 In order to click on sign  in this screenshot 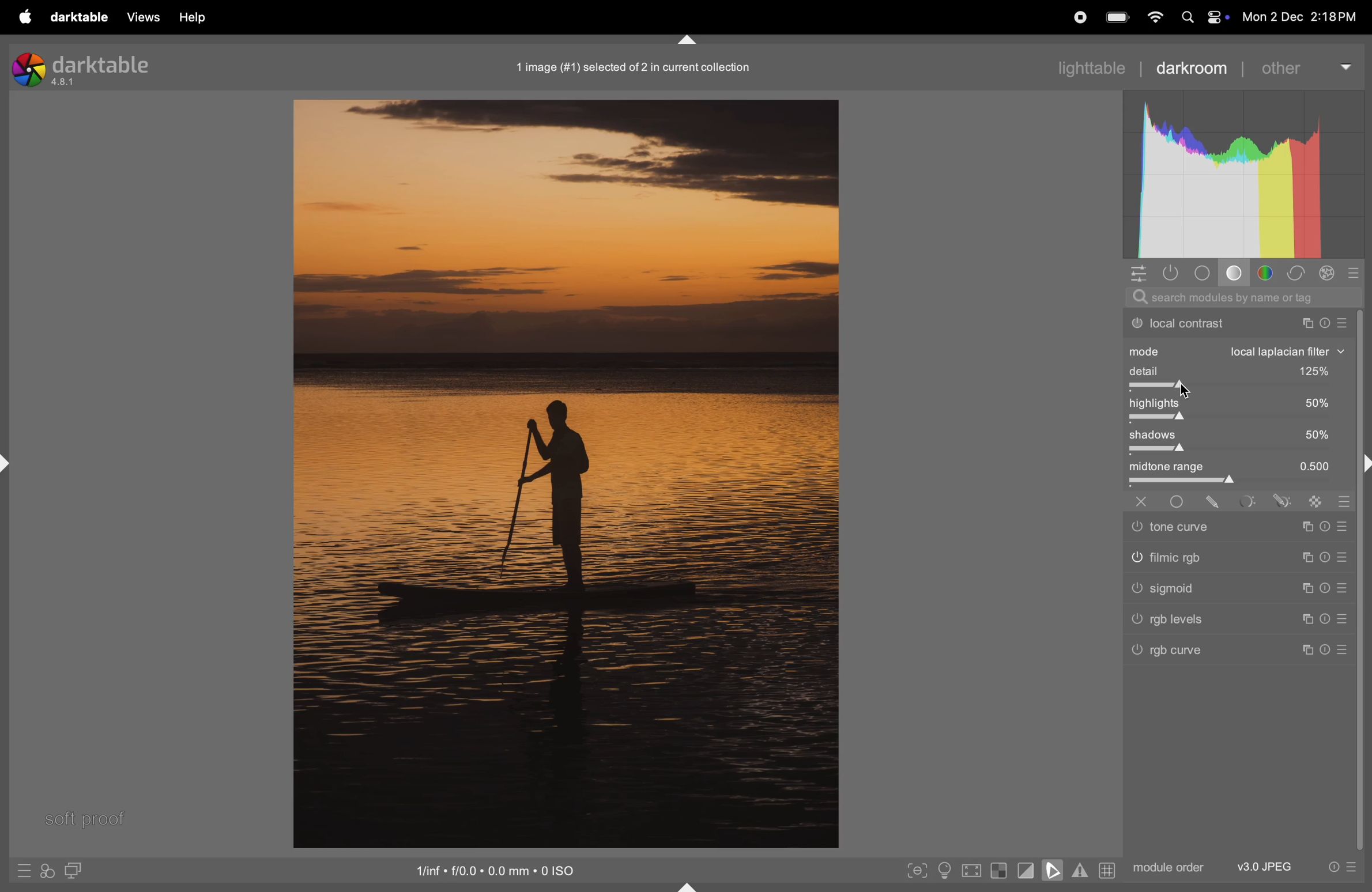, I will do `click(1347, 527)`.